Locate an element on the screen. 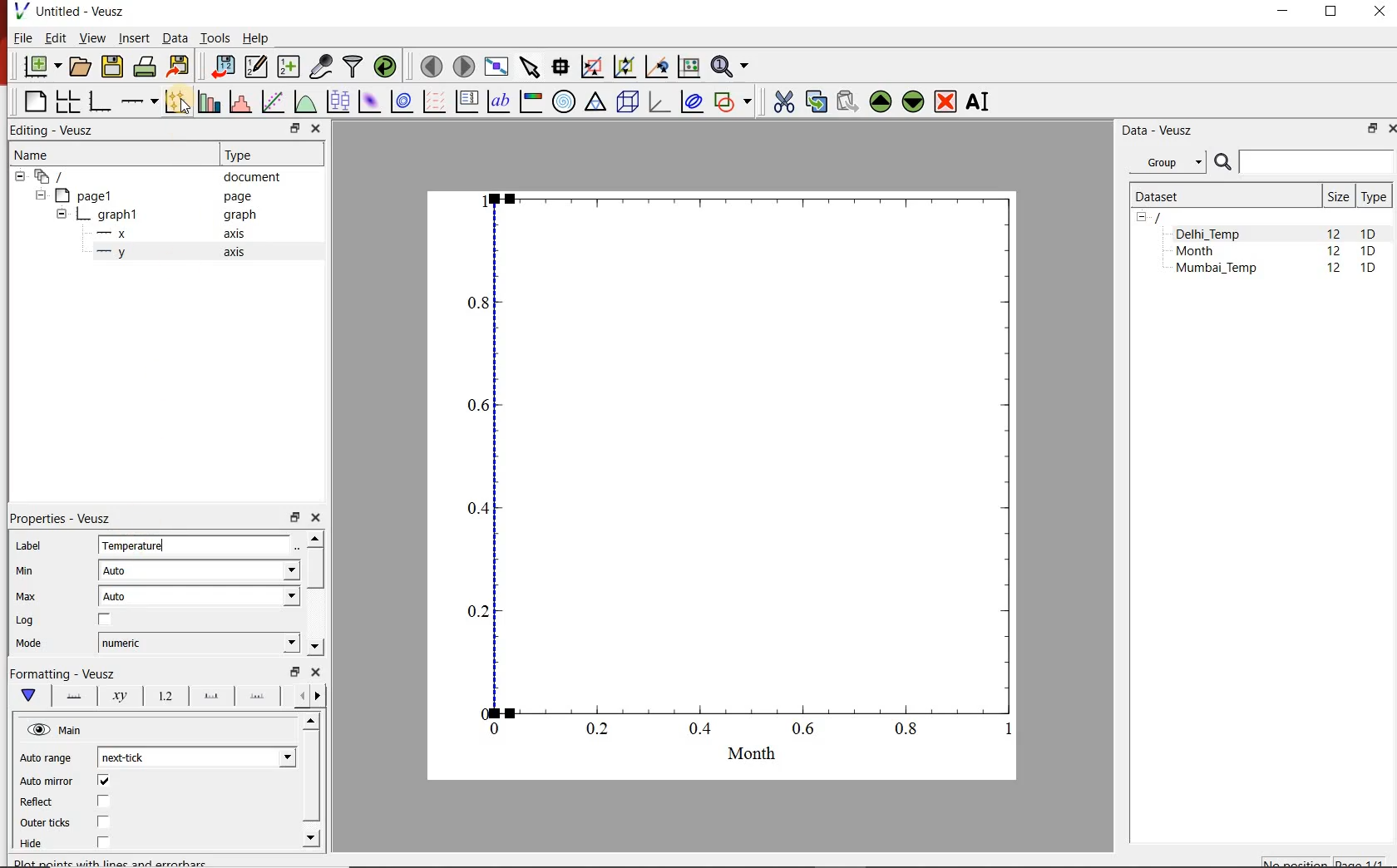  next-tick is located at coordinates (196, 757).